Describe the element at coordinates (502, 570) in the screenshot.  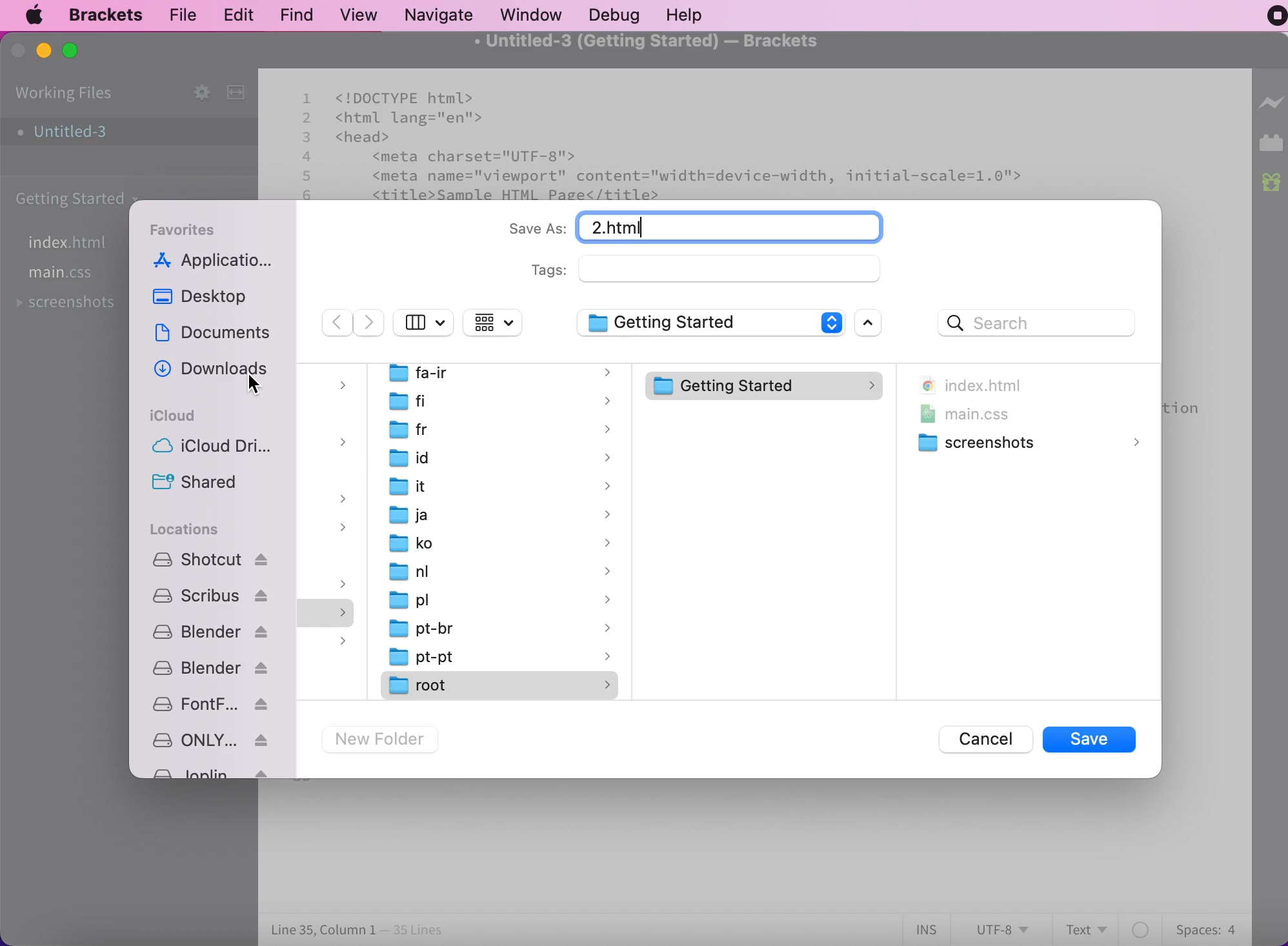
I see `nl` at that location.